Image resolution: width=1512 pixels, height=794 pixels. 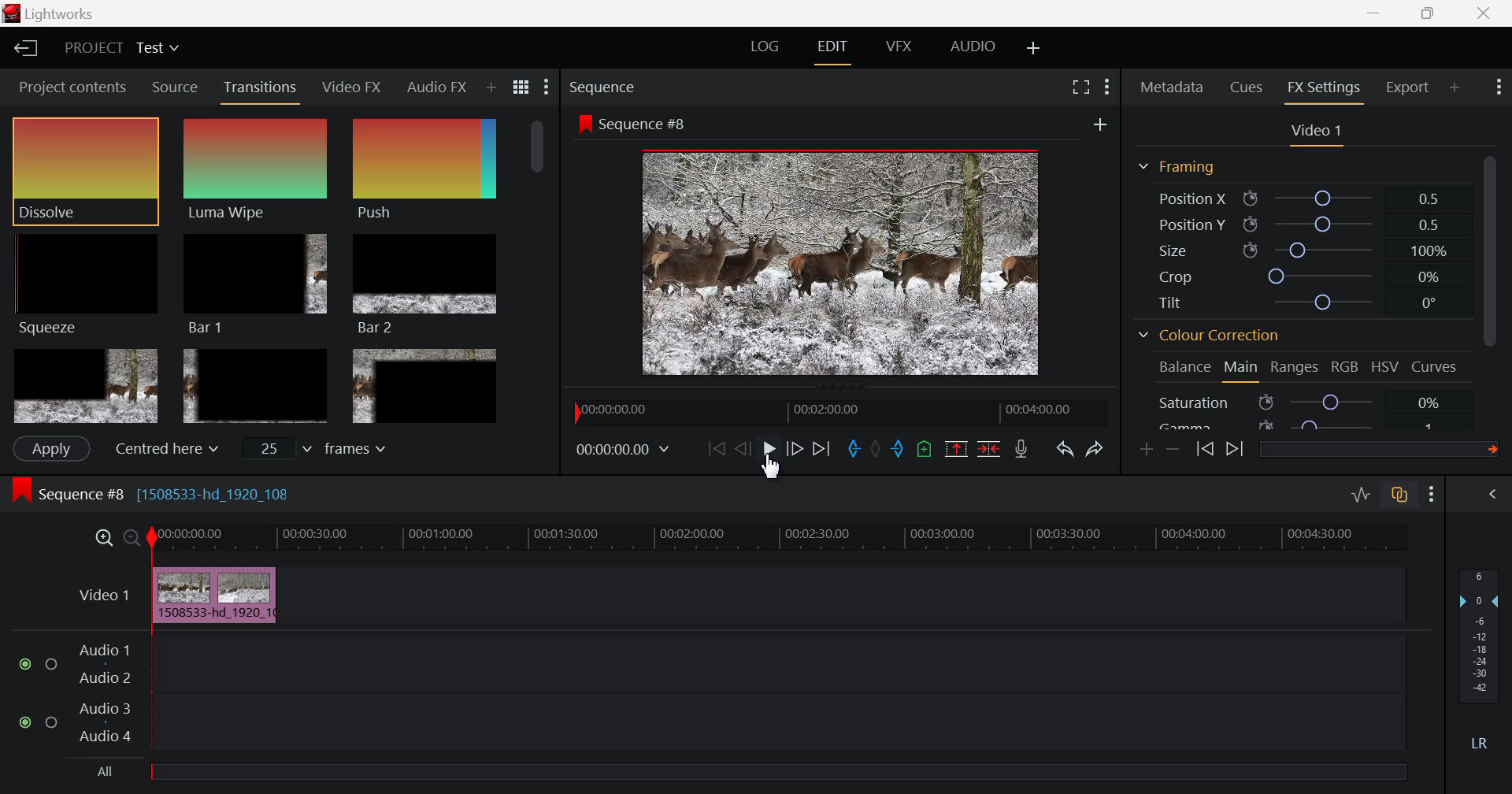 What do you see at coordinates (424, 386) in the screenshot?
I see `Box 6` at bounding box center [424, 386].